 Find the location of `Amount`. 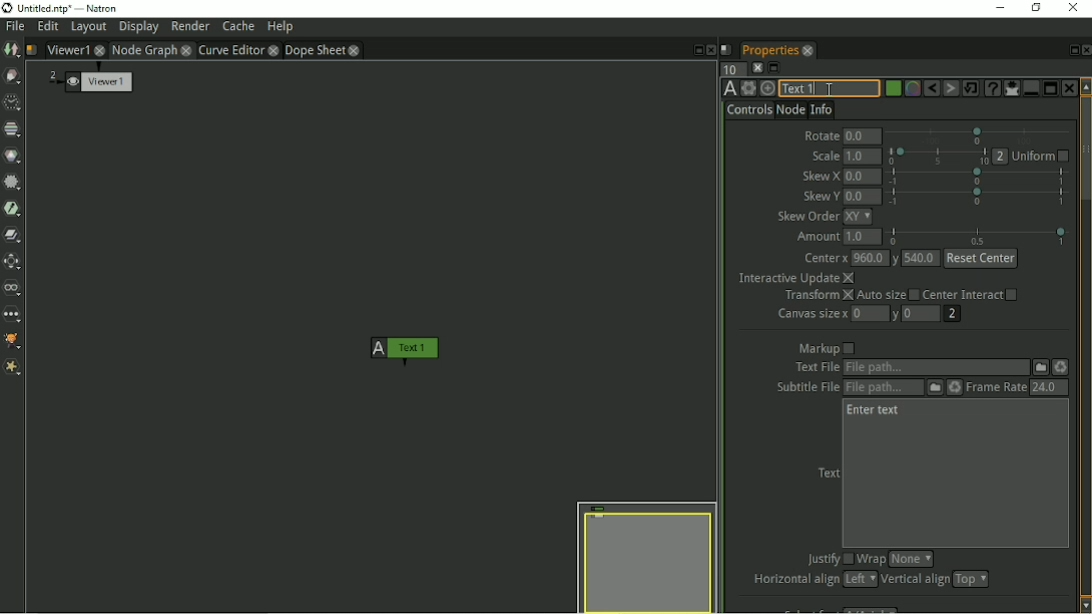

Amount is located at coordinates (817, 236).